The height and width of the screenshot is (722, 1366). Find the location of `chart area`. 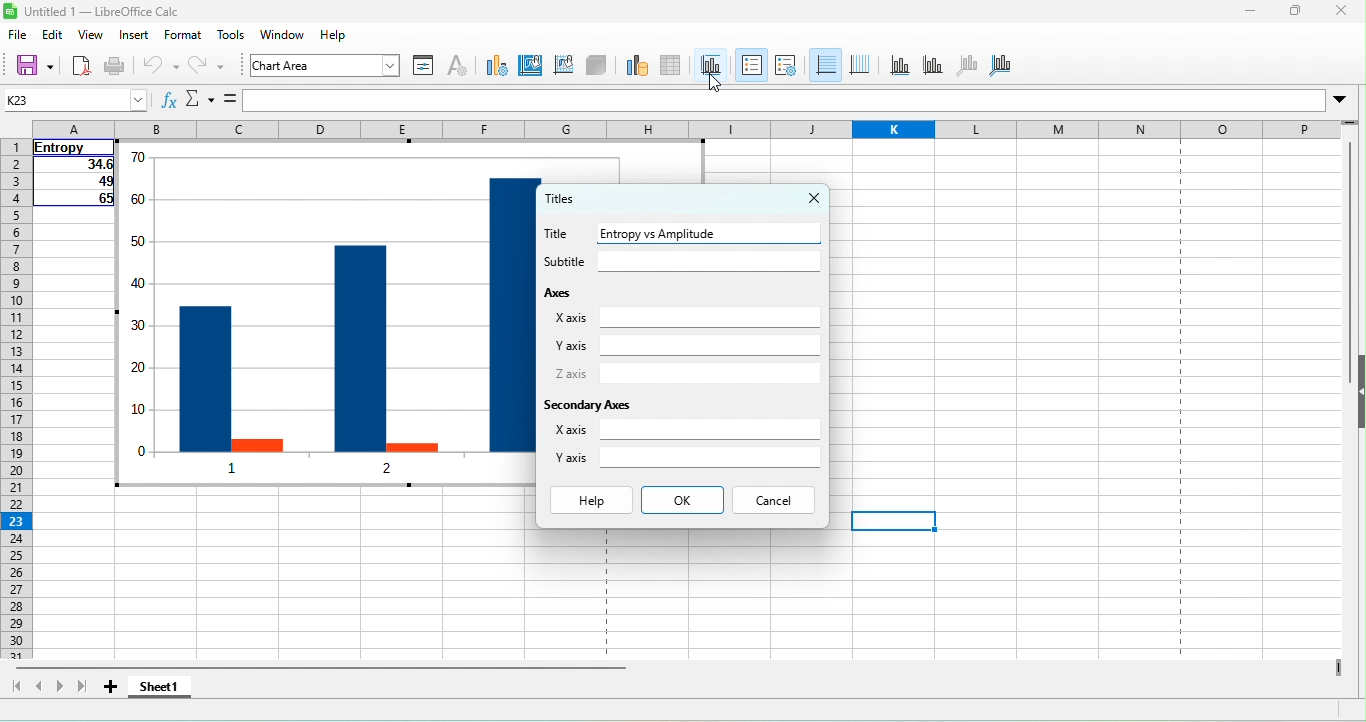

chart area is located at coordinates (327, 68).